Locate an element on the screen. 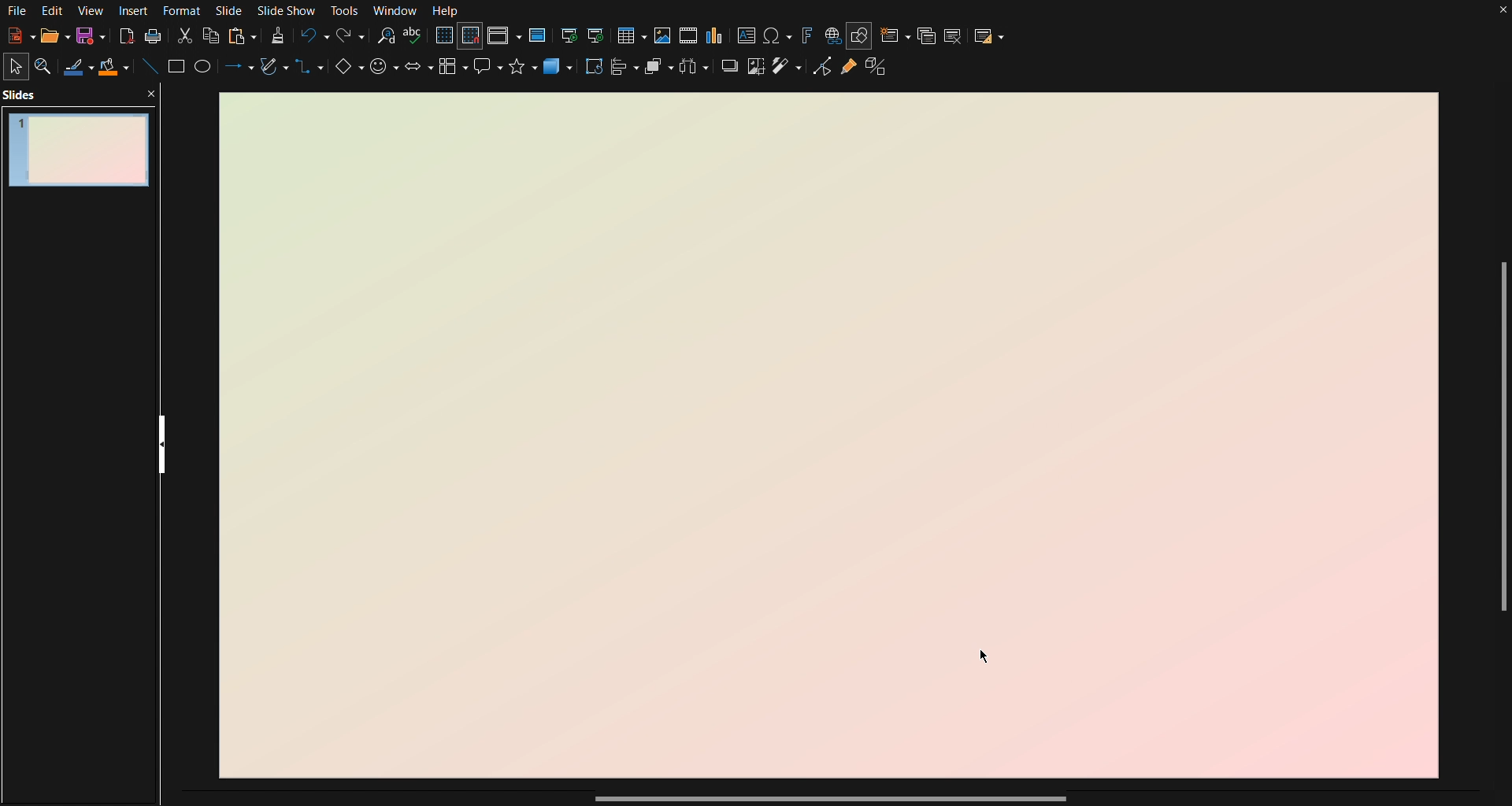 The height and width of the screenshot is (806, 1512). Slides is located at coordinates (24, 94).